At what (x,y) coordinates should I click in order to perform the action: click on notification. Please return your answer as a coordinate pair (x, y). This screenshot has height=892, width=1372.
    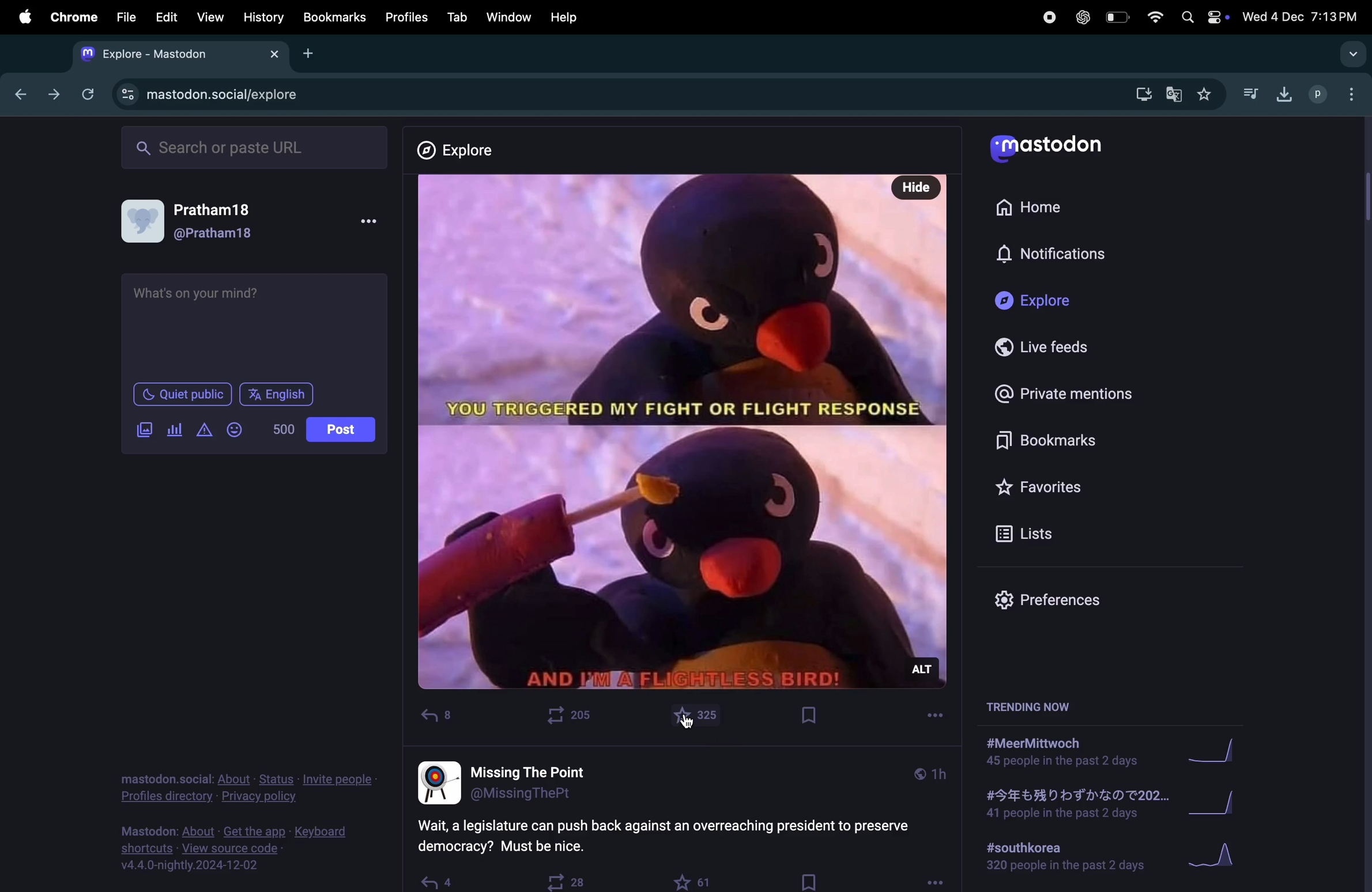
    Looking at the image, I should click on (1058, 252).